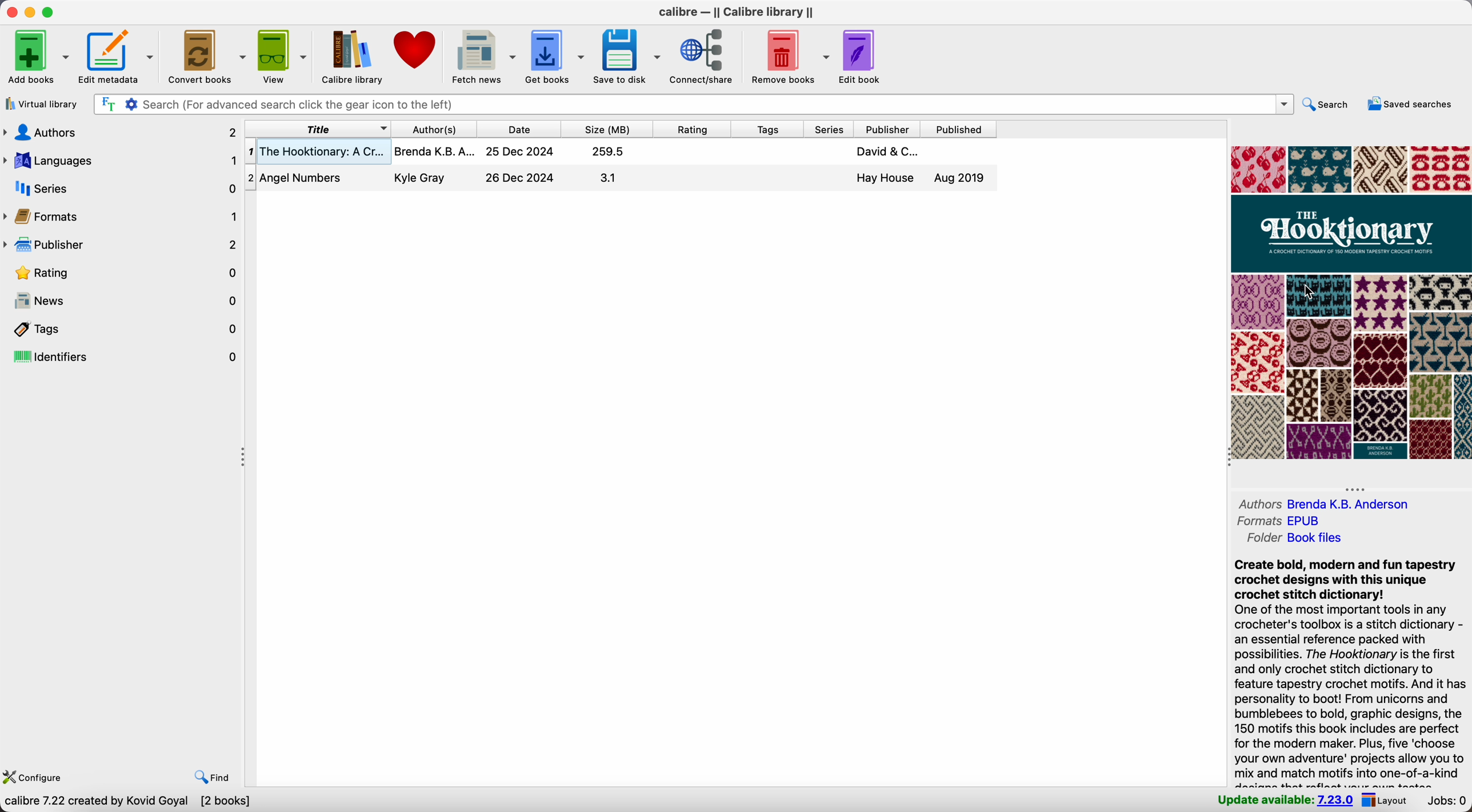  What do you see at coordinates (1302, 294) in the screenshot?
I see `cursor` at bounding box center [1302, 294].